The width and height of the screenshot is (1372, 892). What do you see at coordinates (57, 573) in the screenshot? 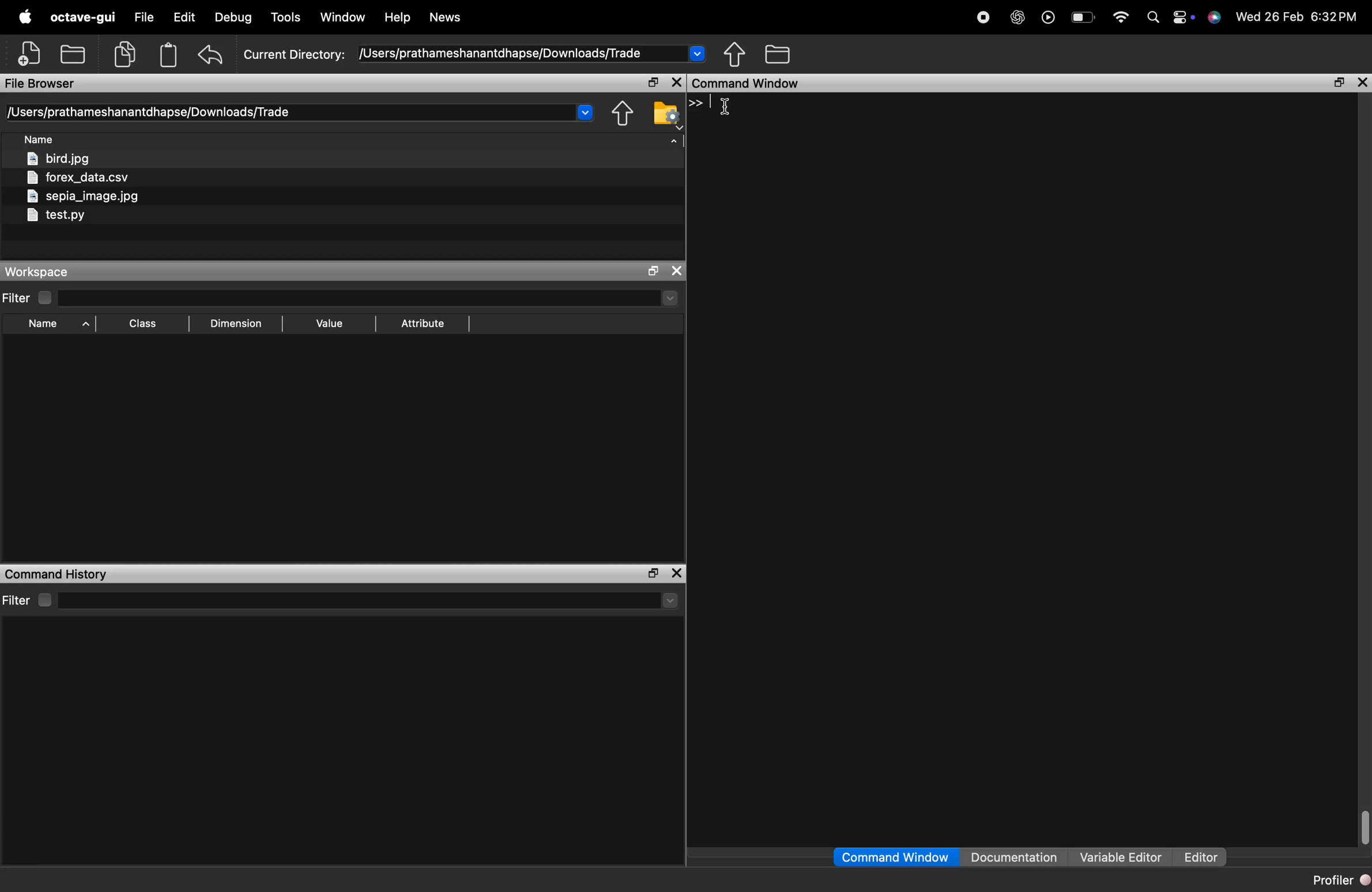
I see `command history` at bounding box center [57, 573].